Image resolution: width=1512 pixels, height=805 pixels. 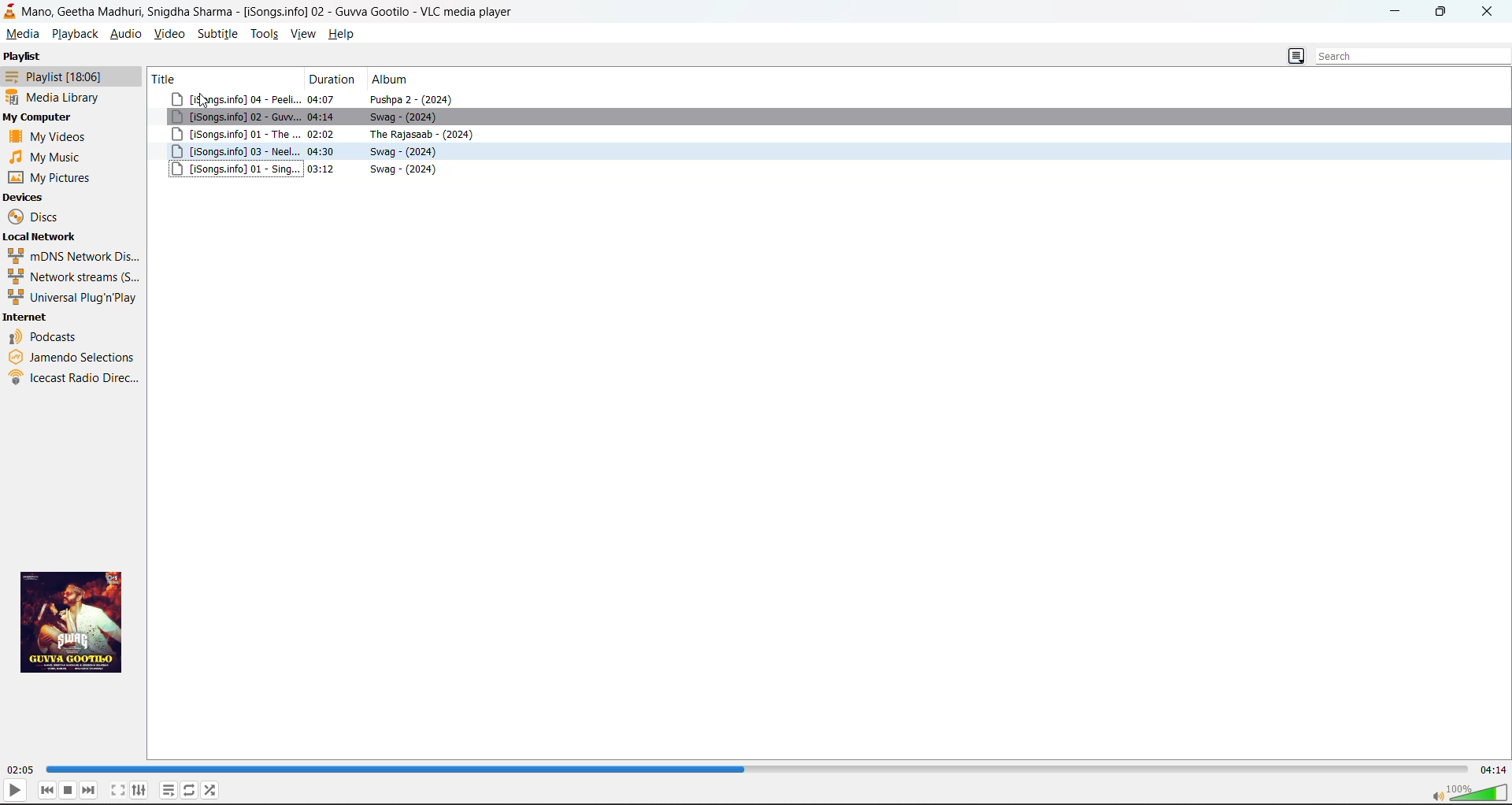 I want to click on playlist, so click(x=23, y=56).